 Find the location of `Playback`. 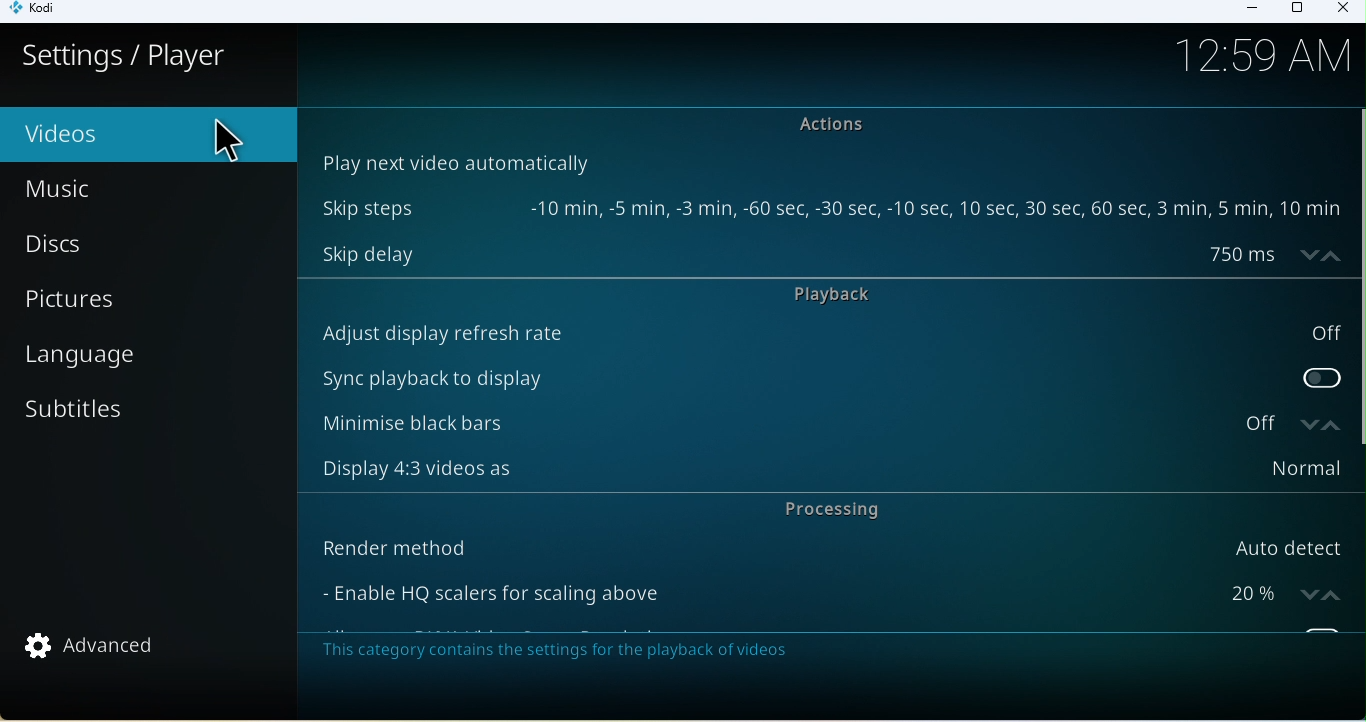

Playback is located at coordinates (849, 296).